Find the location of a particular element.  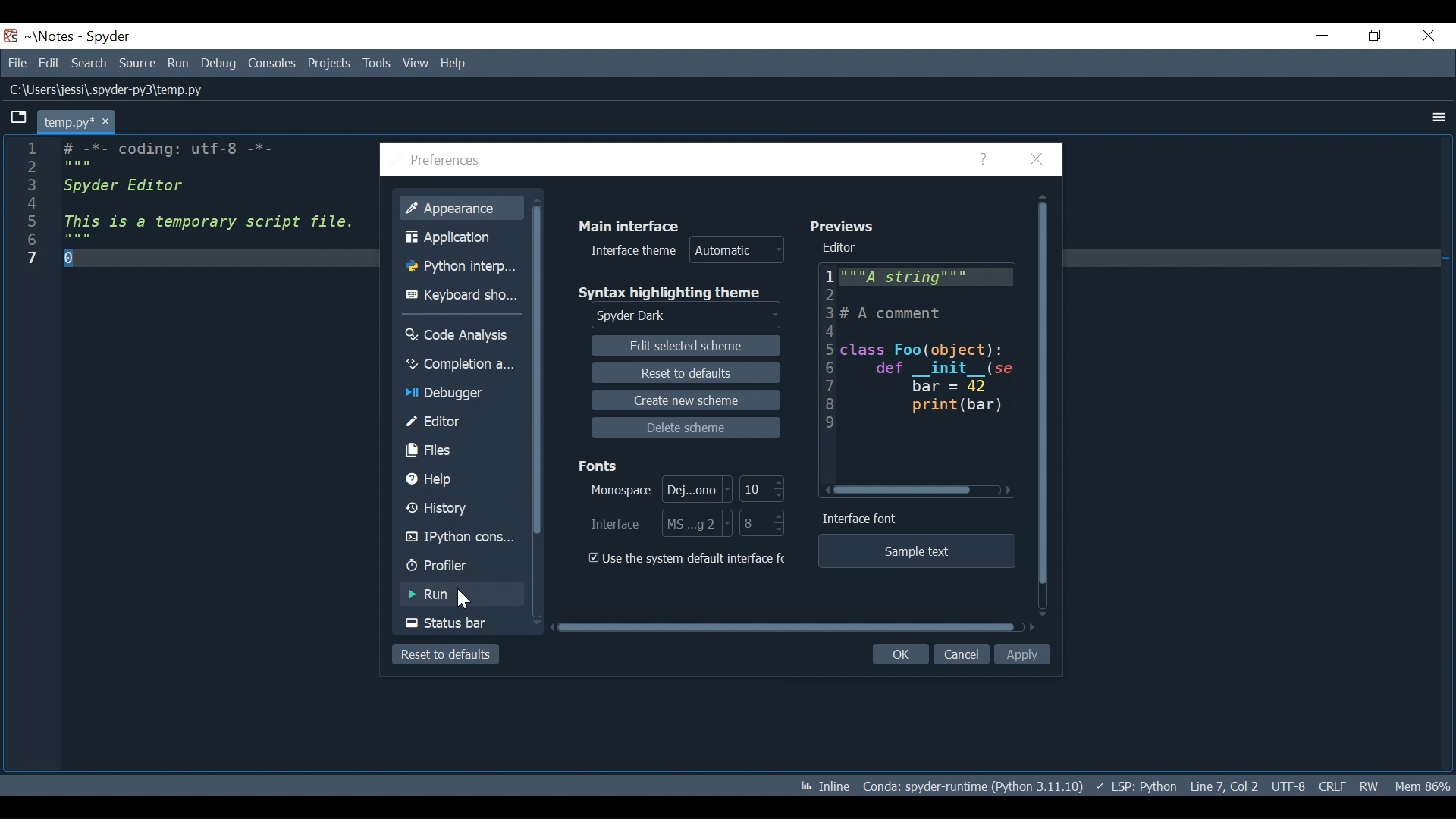

Minimize is located at coordinates (1314, 35).